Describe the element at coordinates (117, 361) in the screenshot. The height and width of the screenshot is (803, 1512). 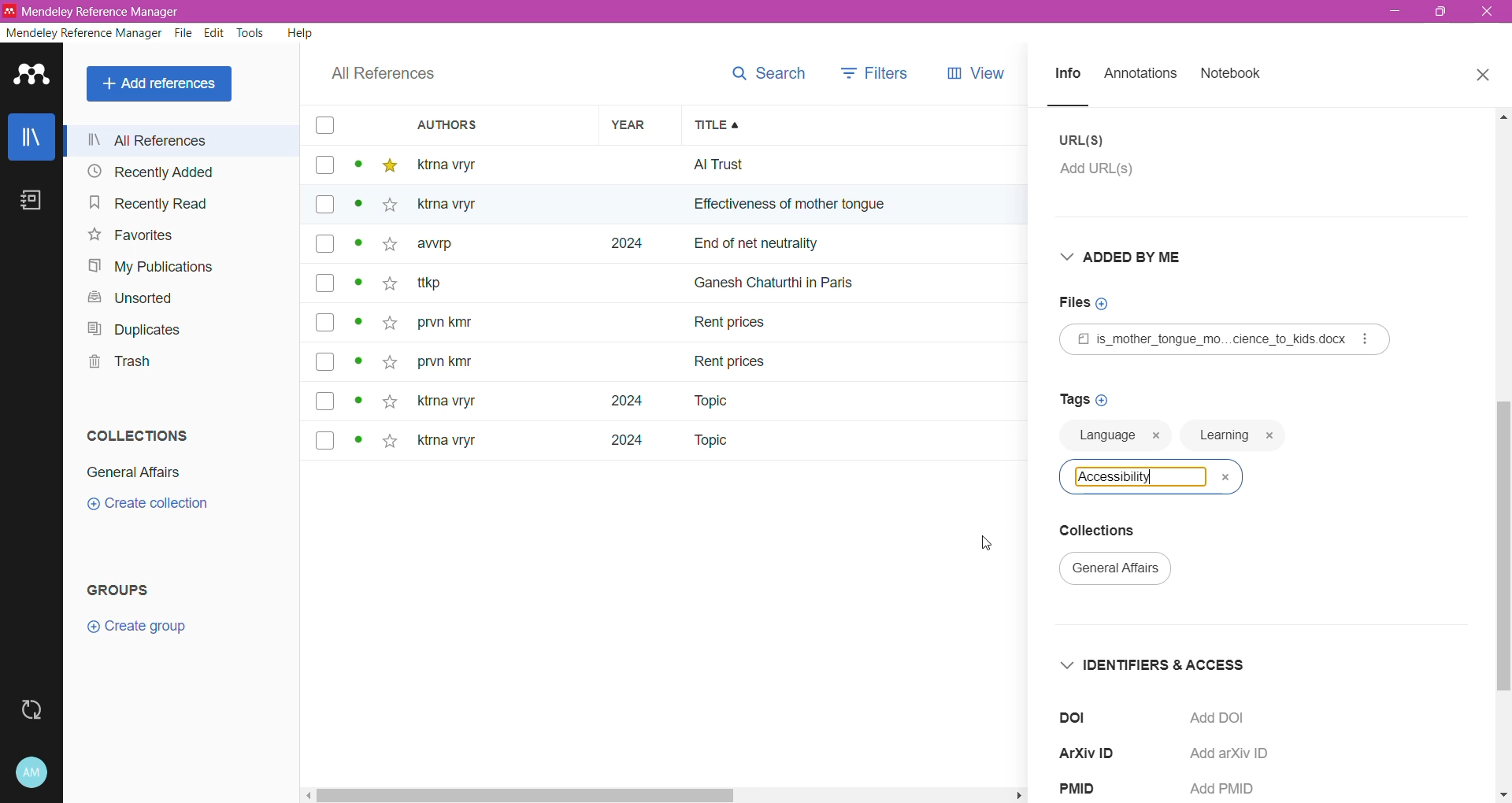
I see `Trash` at that location.